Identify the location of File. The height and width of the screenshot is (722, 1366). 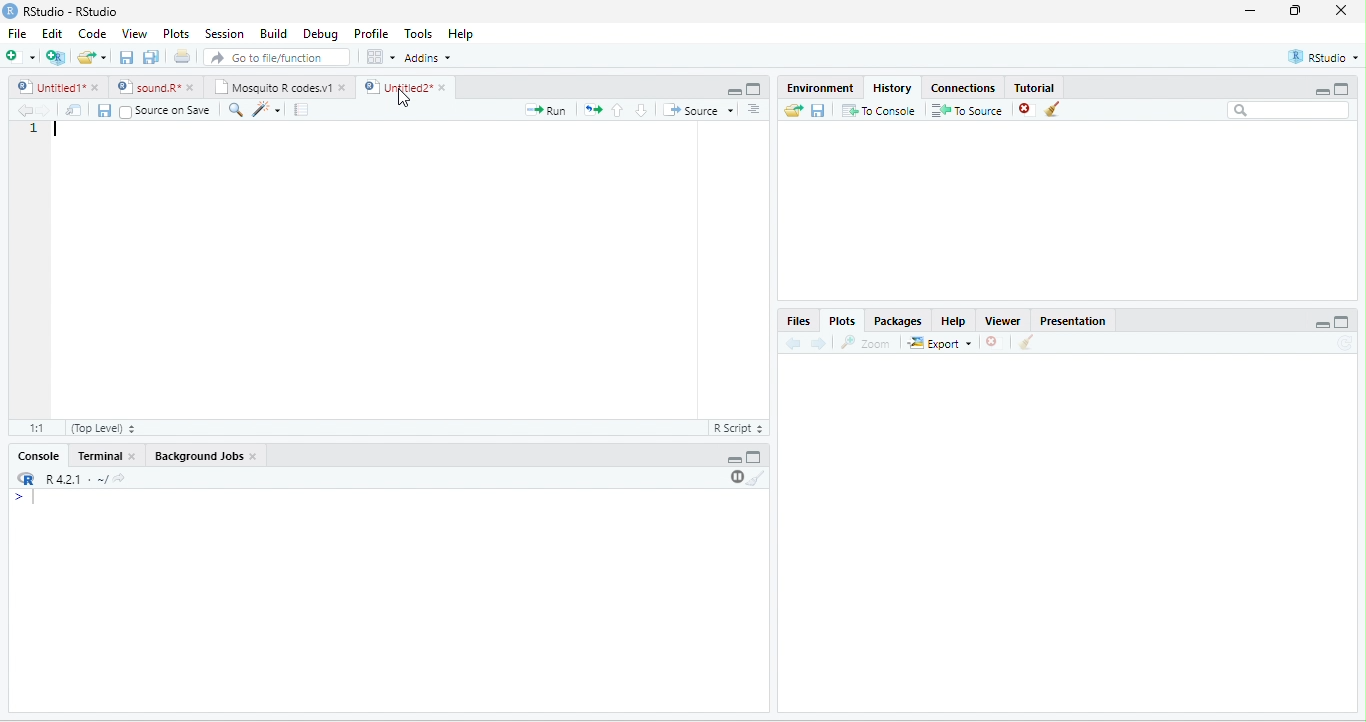
(17, 33).